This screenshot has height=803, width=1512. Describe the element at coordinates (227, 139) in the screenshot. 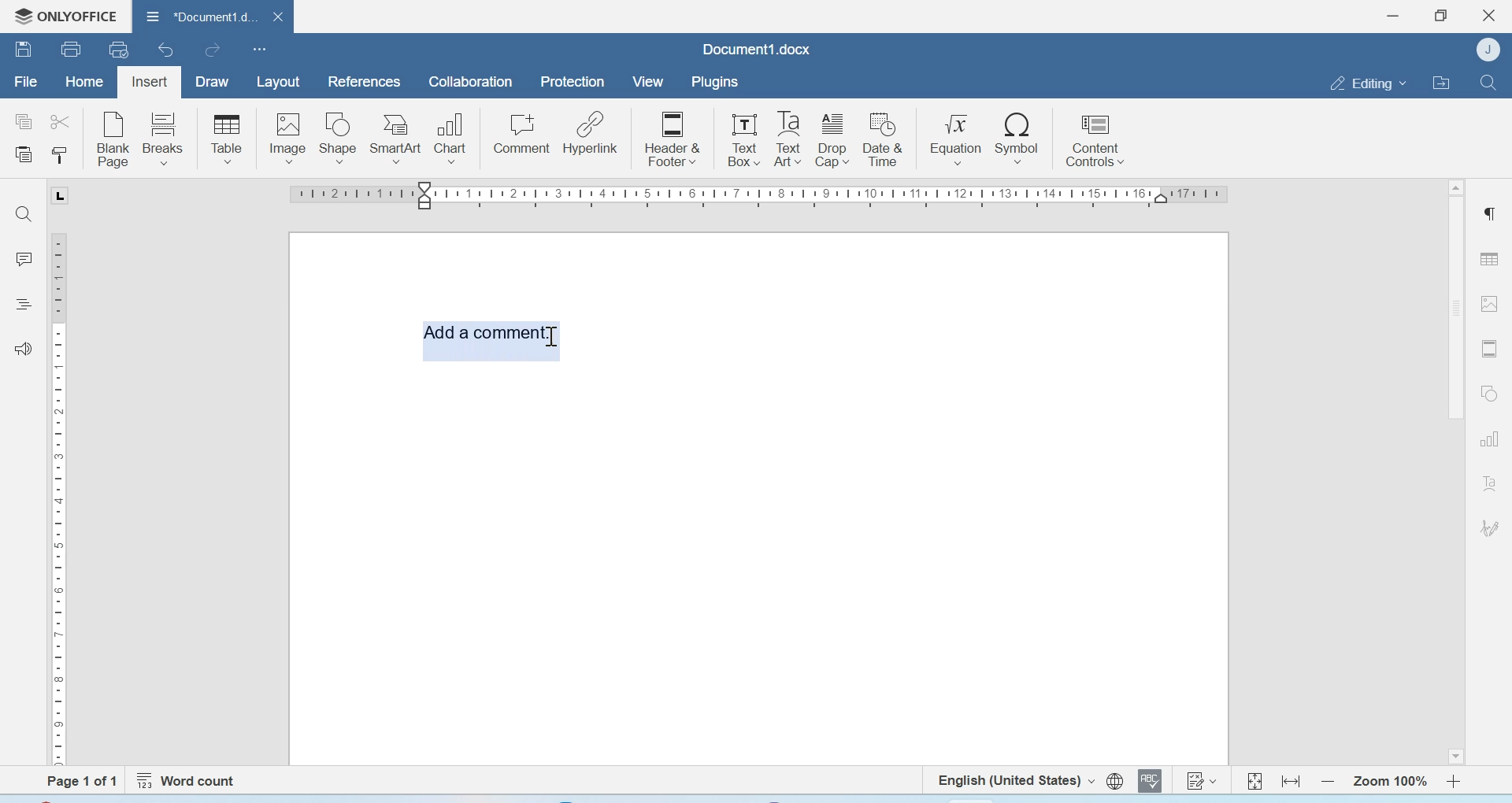

I see `Table` at that location.